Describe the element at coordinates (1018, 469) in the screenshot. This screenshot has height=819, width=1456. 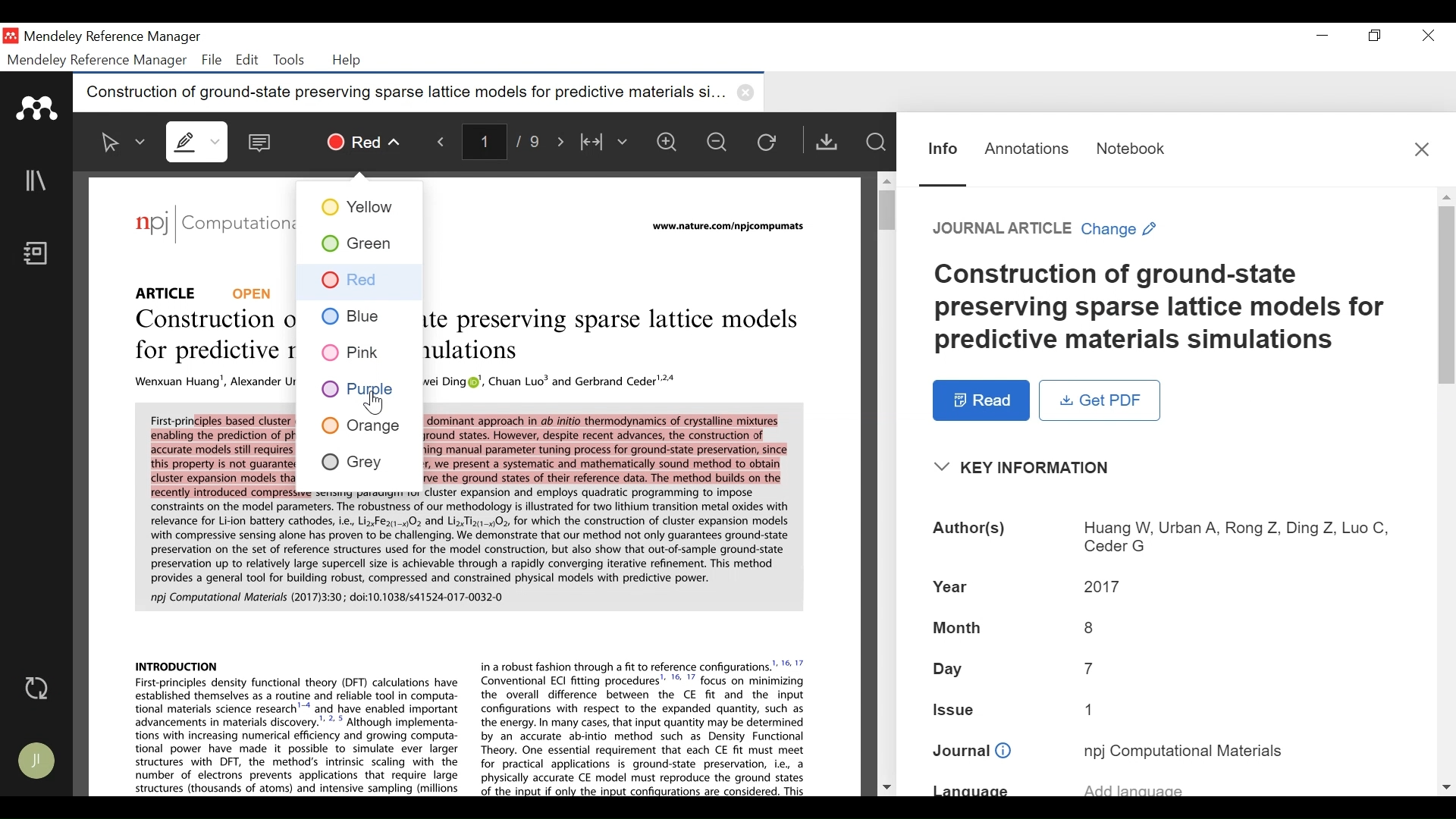
I see `Key Information` at that location.